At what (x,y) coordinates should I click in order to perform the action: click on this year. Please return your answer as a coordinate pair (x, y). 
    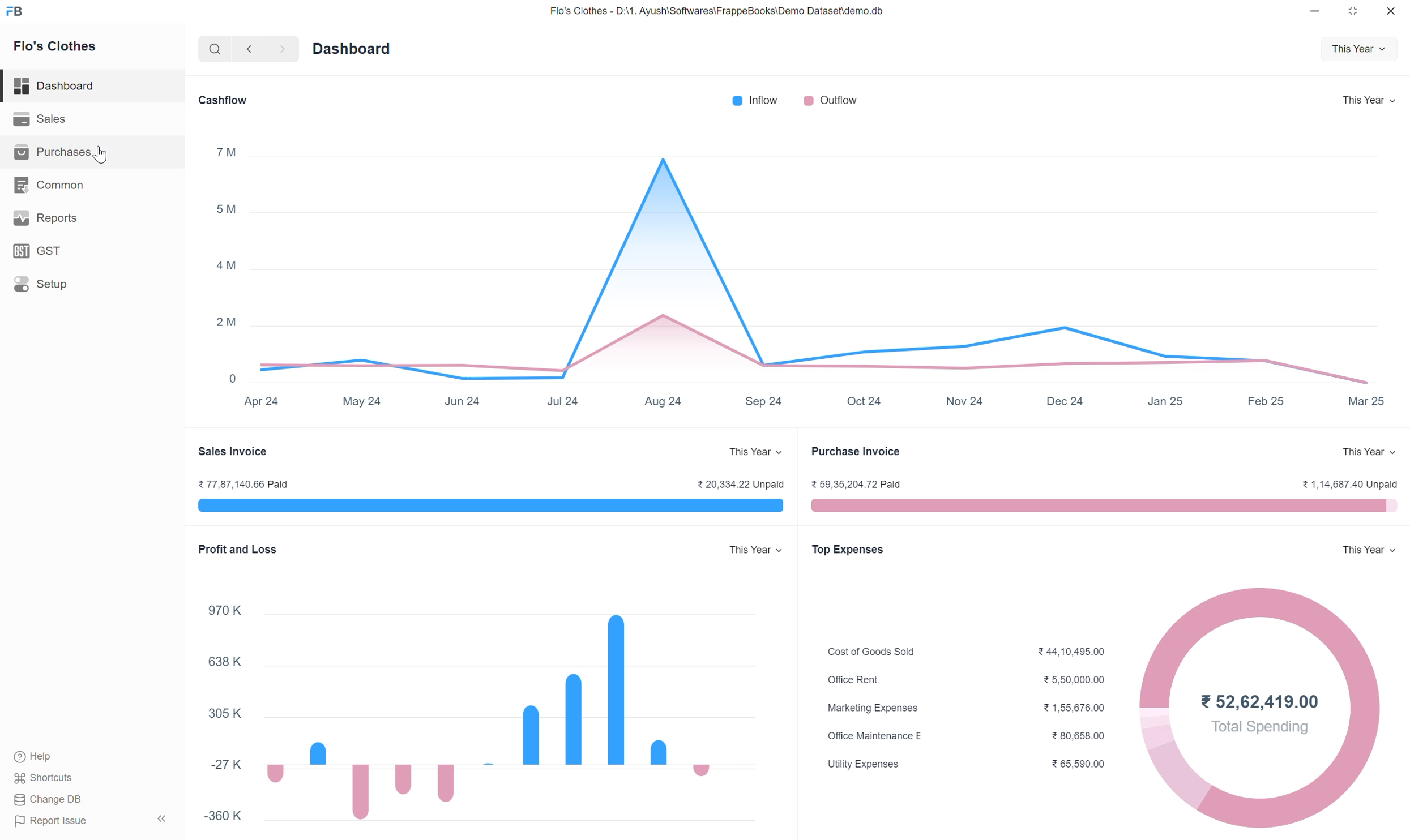
    Looking at the image, I should click on (1370, 452).